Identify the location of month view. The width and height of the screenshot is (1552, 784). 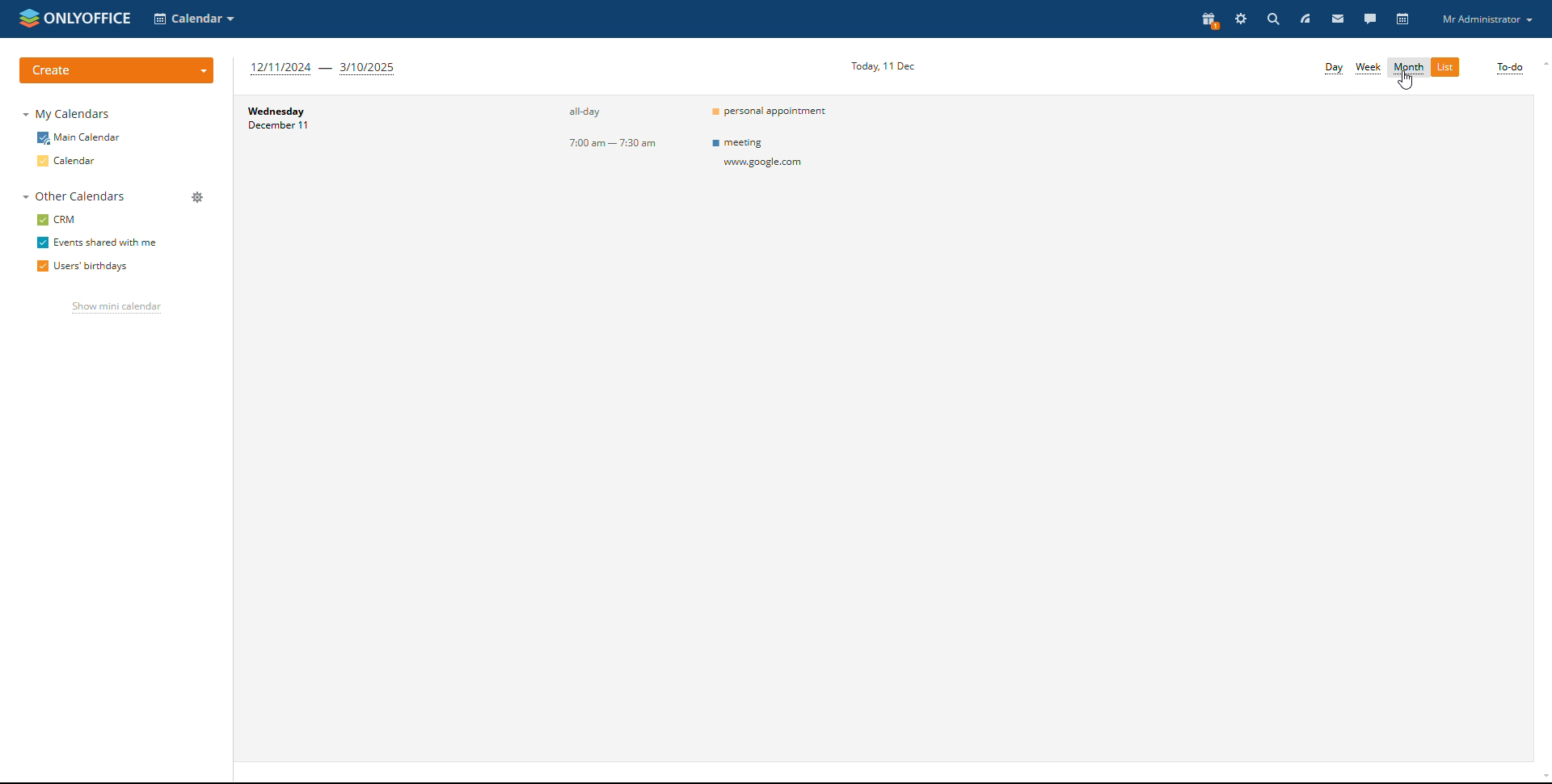
(1408, 69).